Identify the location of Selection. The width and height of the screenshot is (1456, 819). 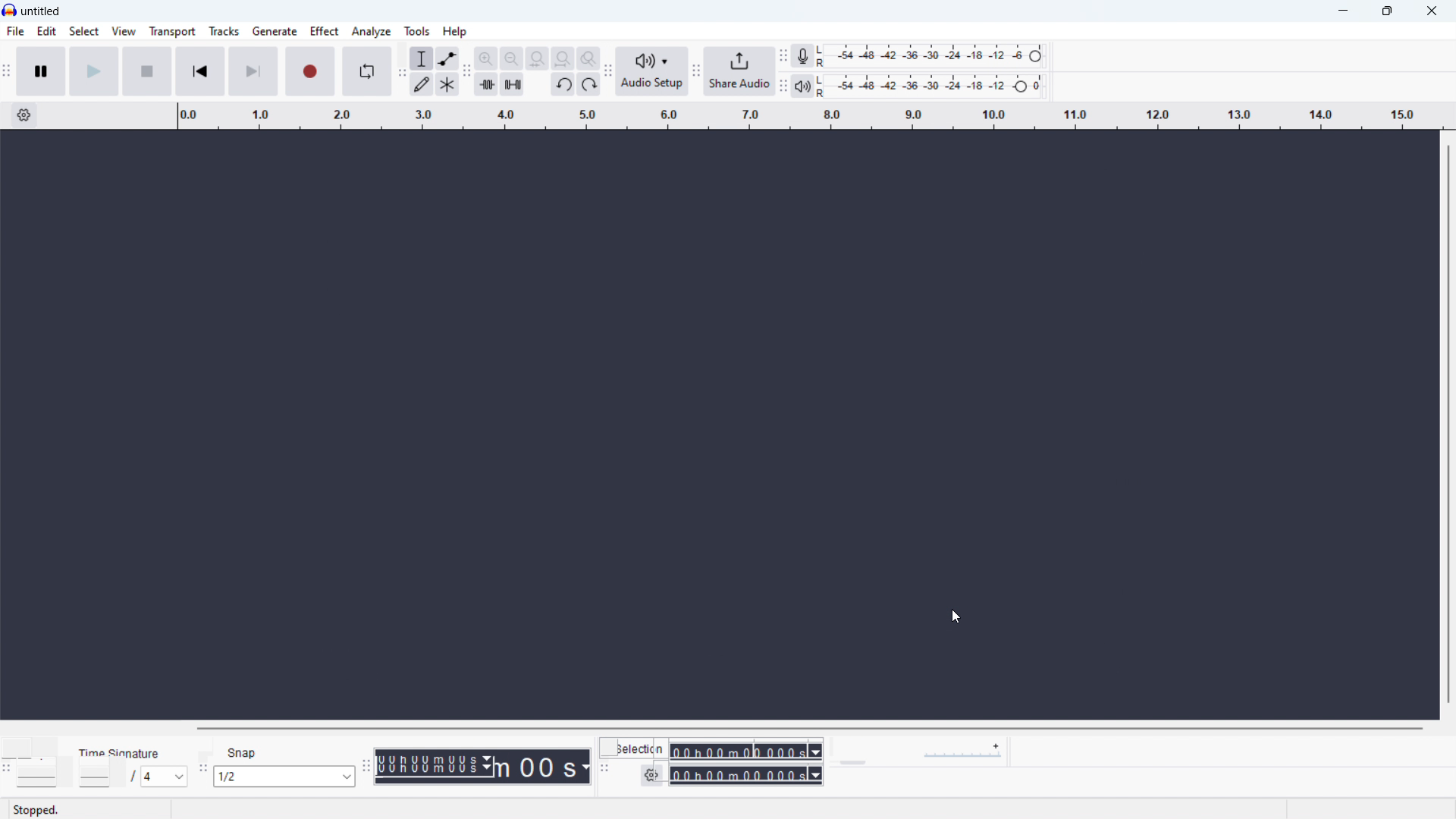
(641, 748).